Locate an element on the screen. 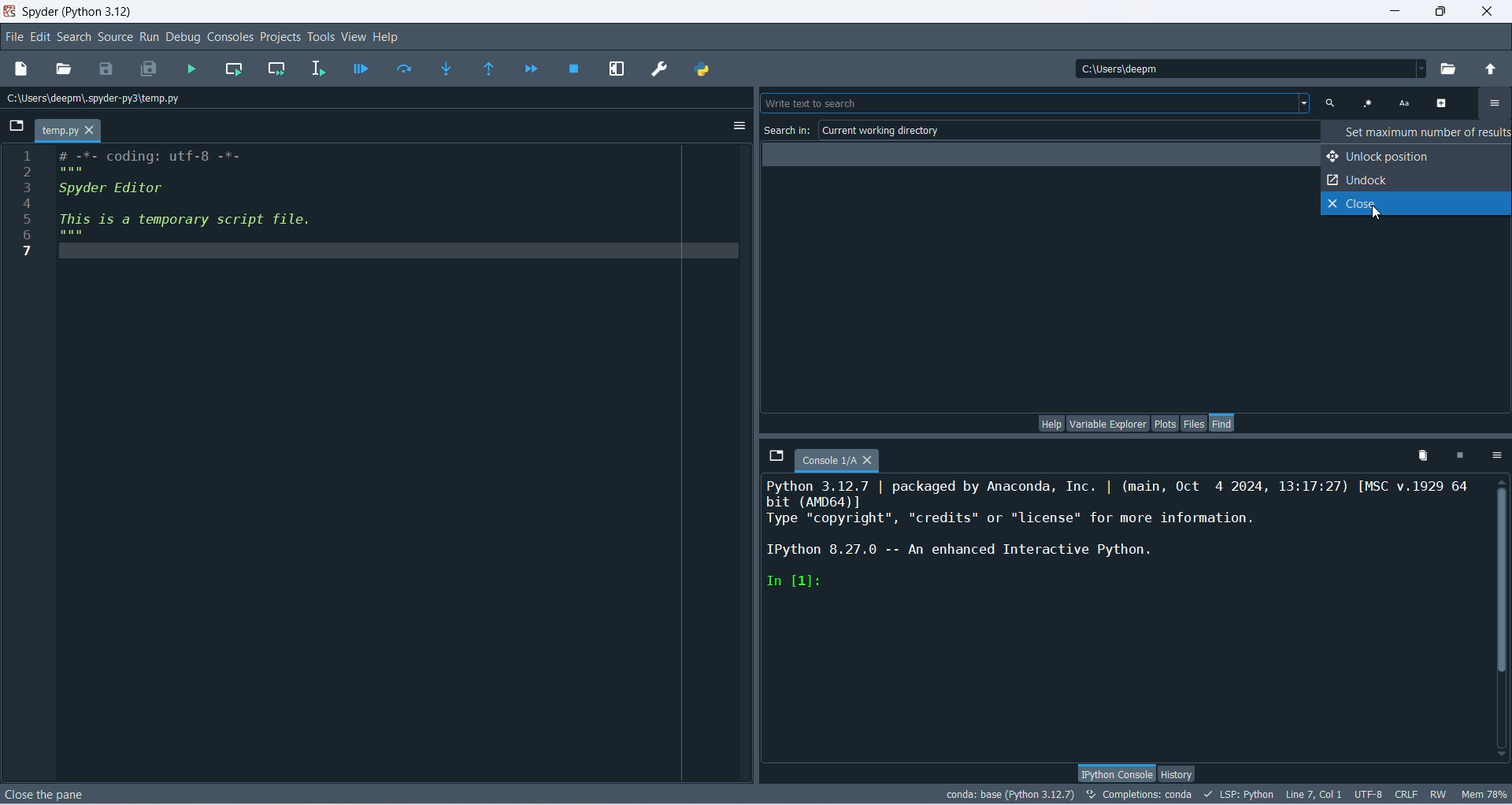 The width and height of the screenshot is (1512, 805). unlock position is located at coordinates (1416, 154).